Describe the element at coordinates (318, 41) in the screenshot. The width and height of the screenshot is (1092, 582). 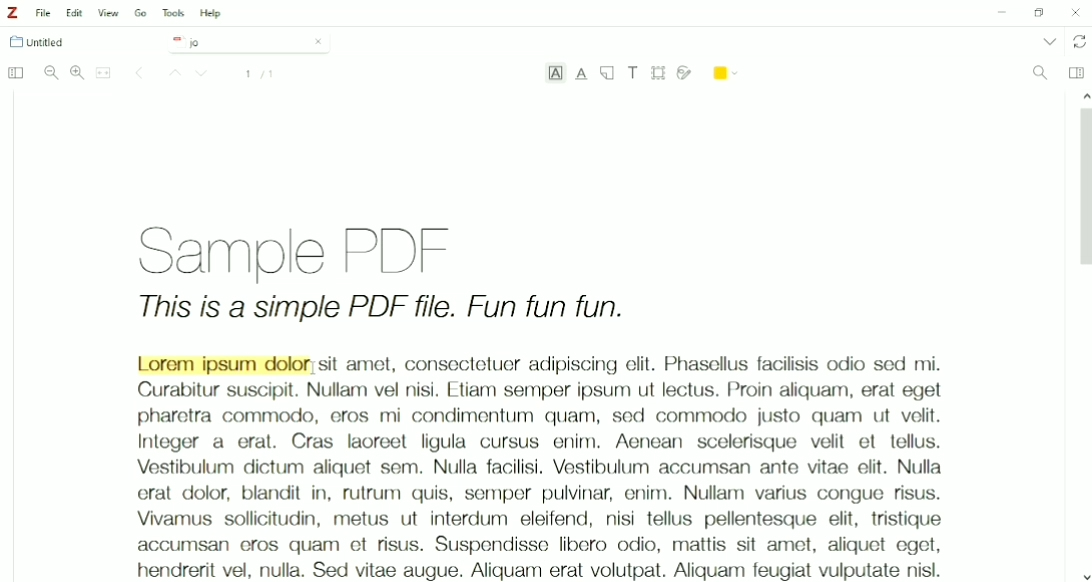
I see `Close` at that location.